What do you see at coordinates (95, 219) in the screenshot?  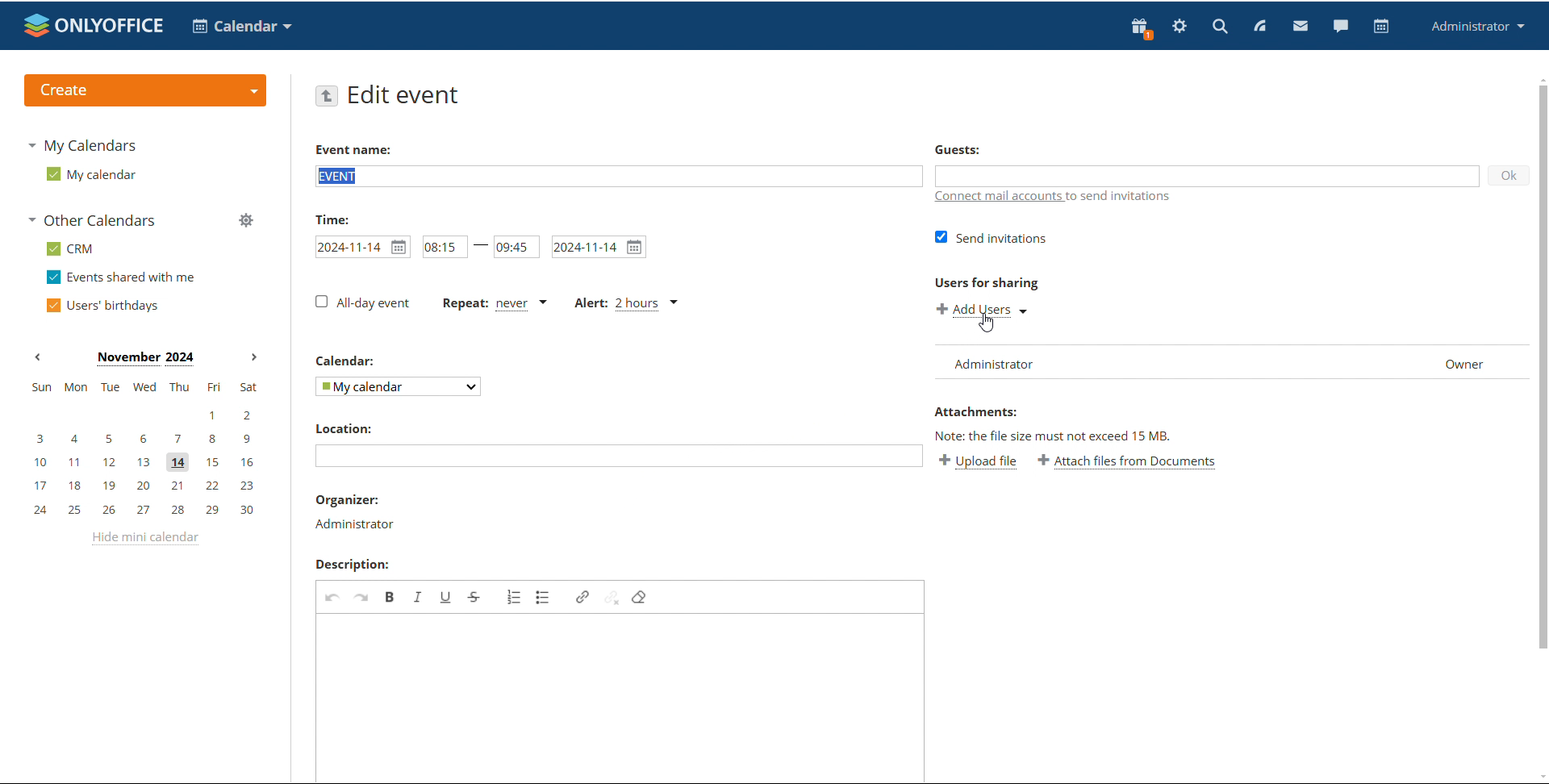 I see `other calendars` at bounding box center [95, 219].